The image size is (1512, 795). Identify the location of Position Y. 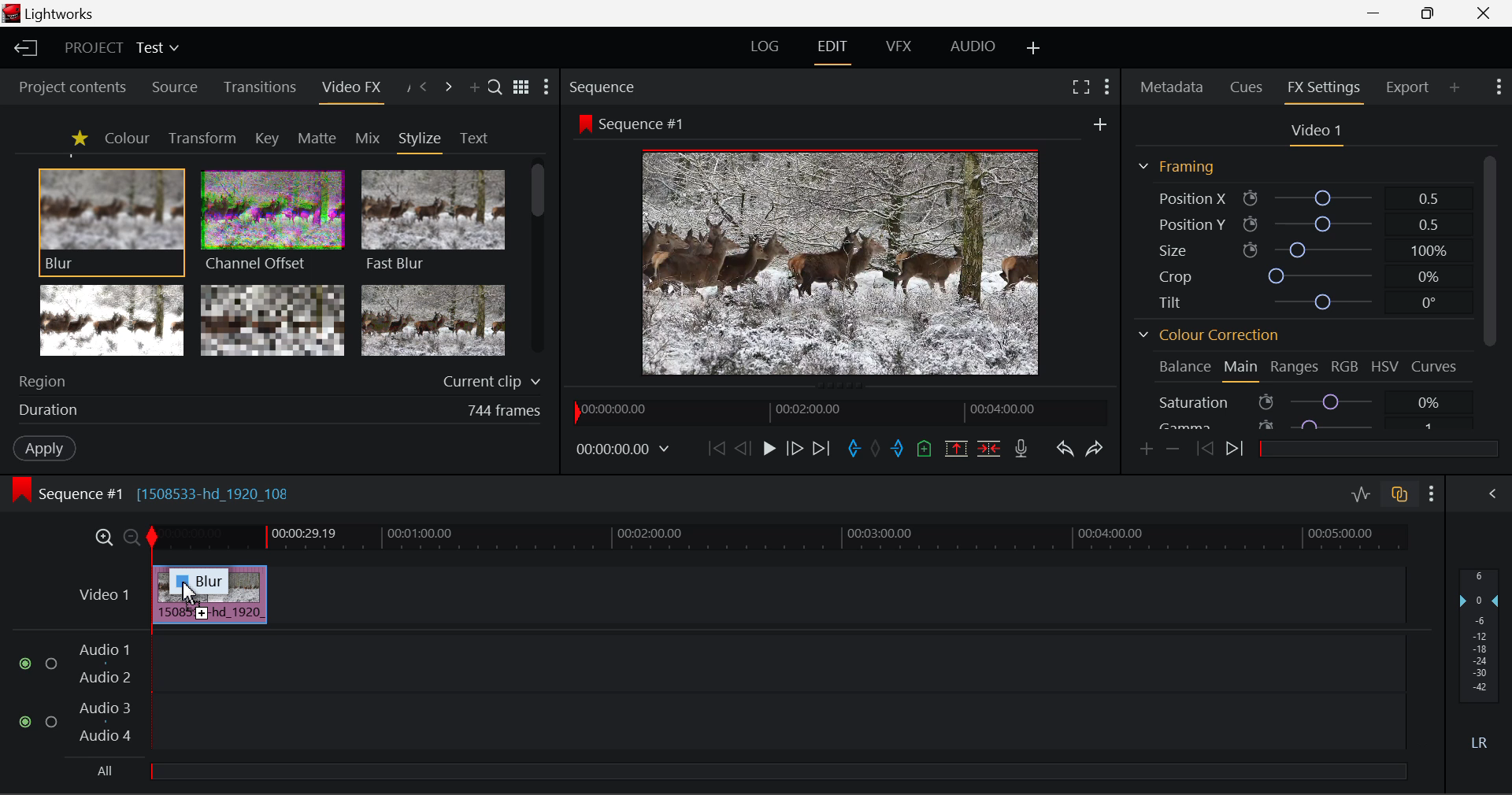
(1299, 224).